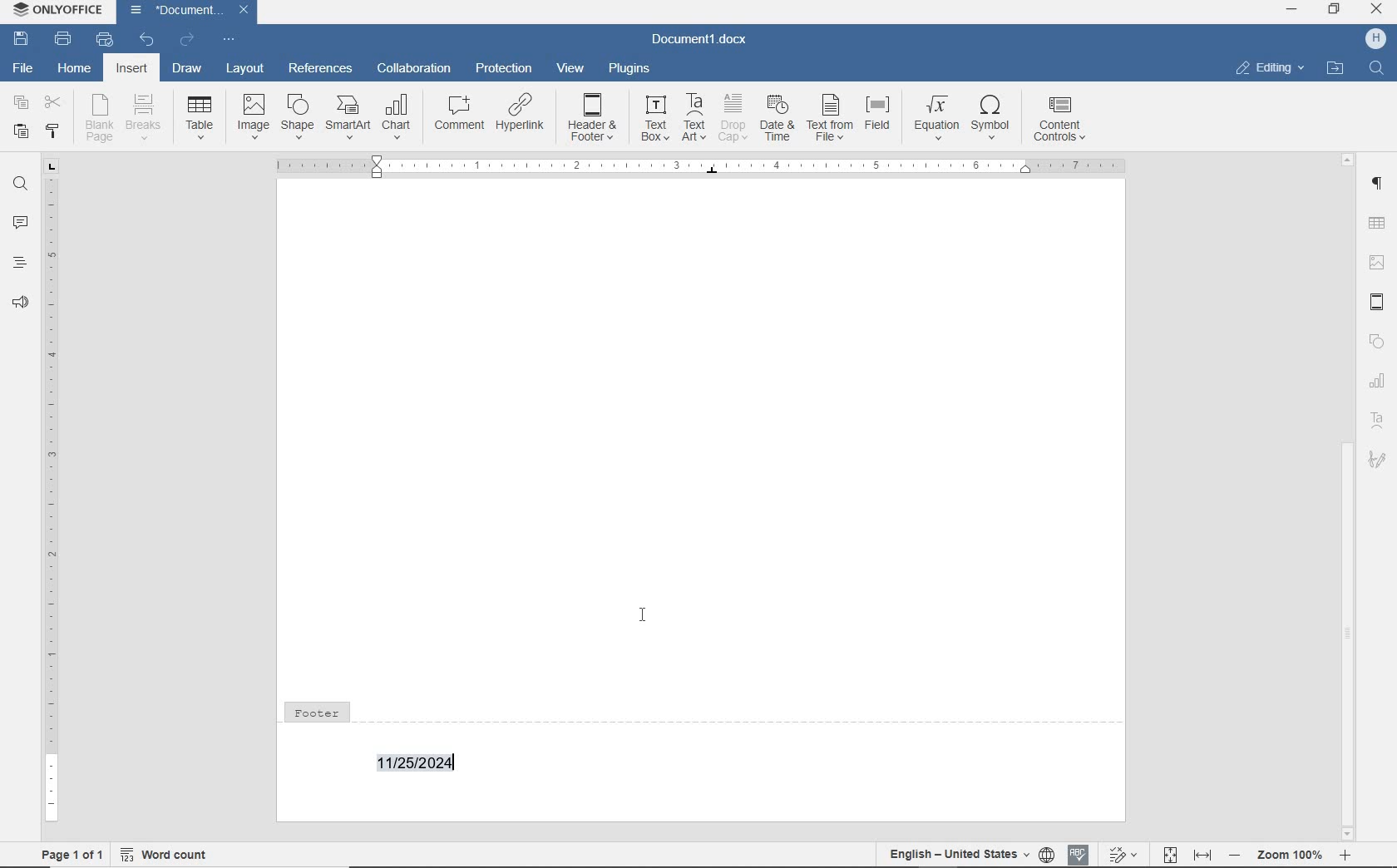 The height and width of the screenshot is (868, 1397). Describe the element at coordinates (1079, 856) in the screenshot. I see `spell check` at that location.